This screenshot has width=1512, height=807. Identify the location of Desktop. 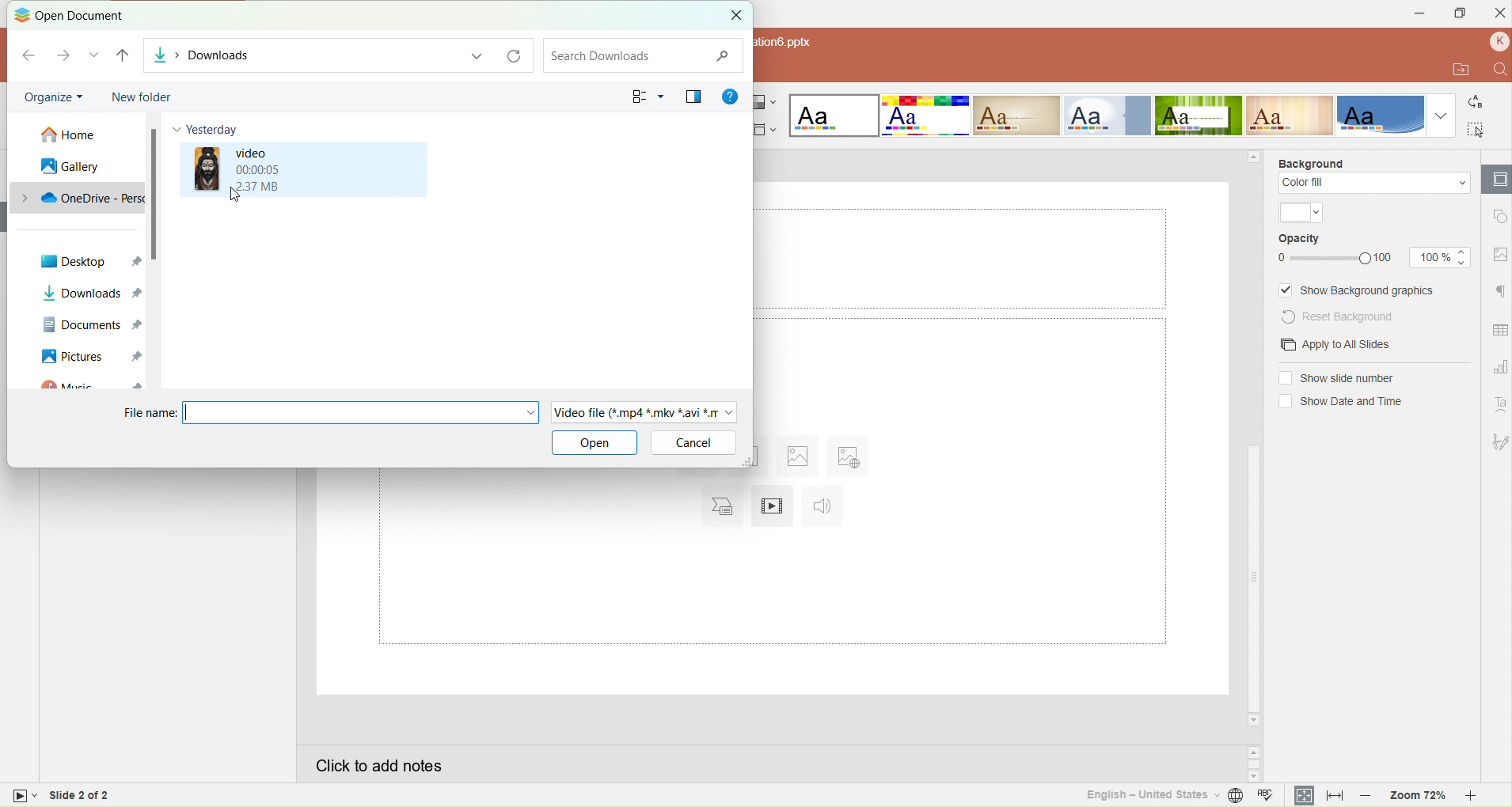
(89, 261).